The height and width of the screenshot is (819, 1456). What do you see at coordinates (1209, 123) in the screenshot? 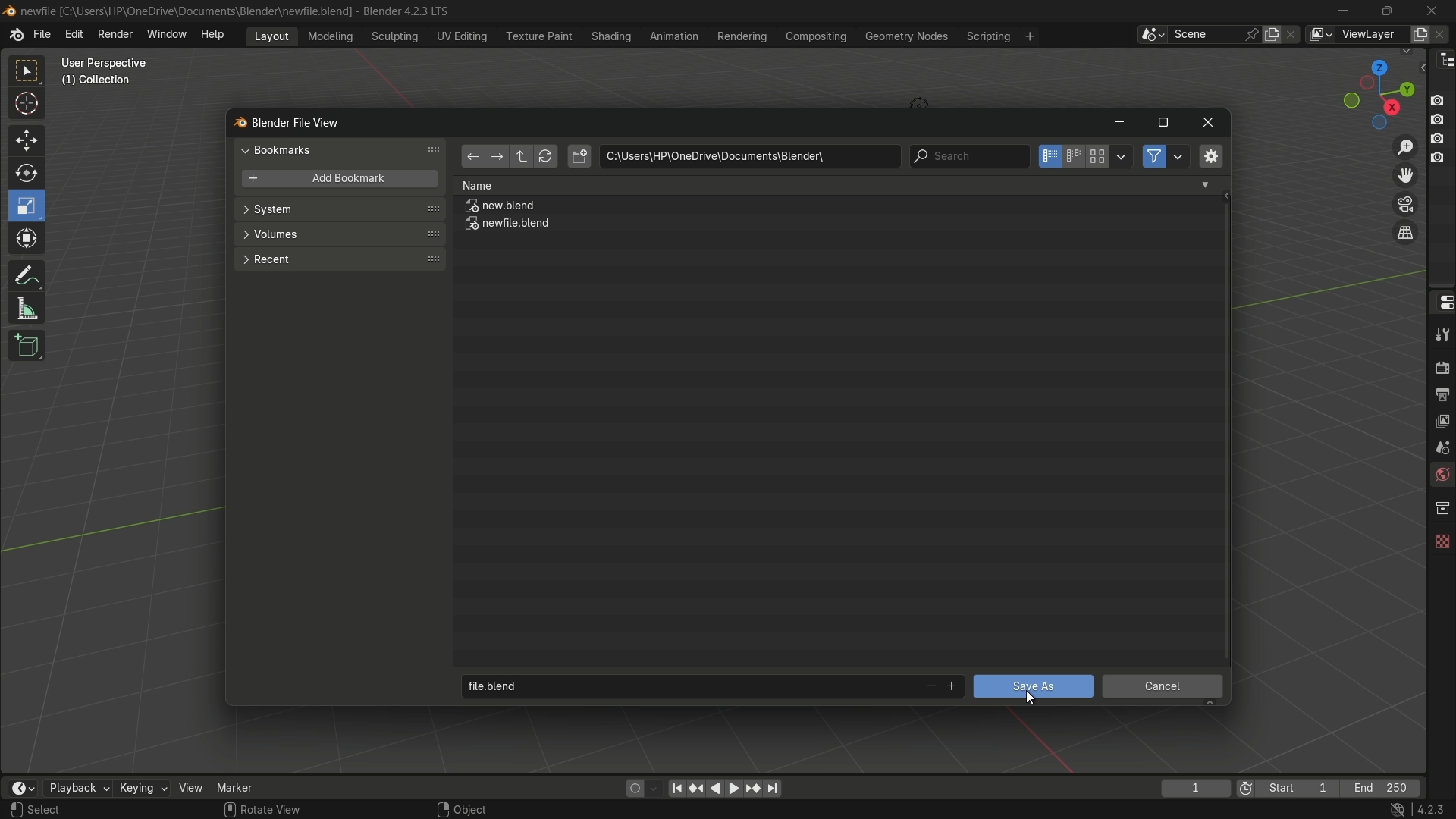
I see `close window` at bounding box center [1209, 123].